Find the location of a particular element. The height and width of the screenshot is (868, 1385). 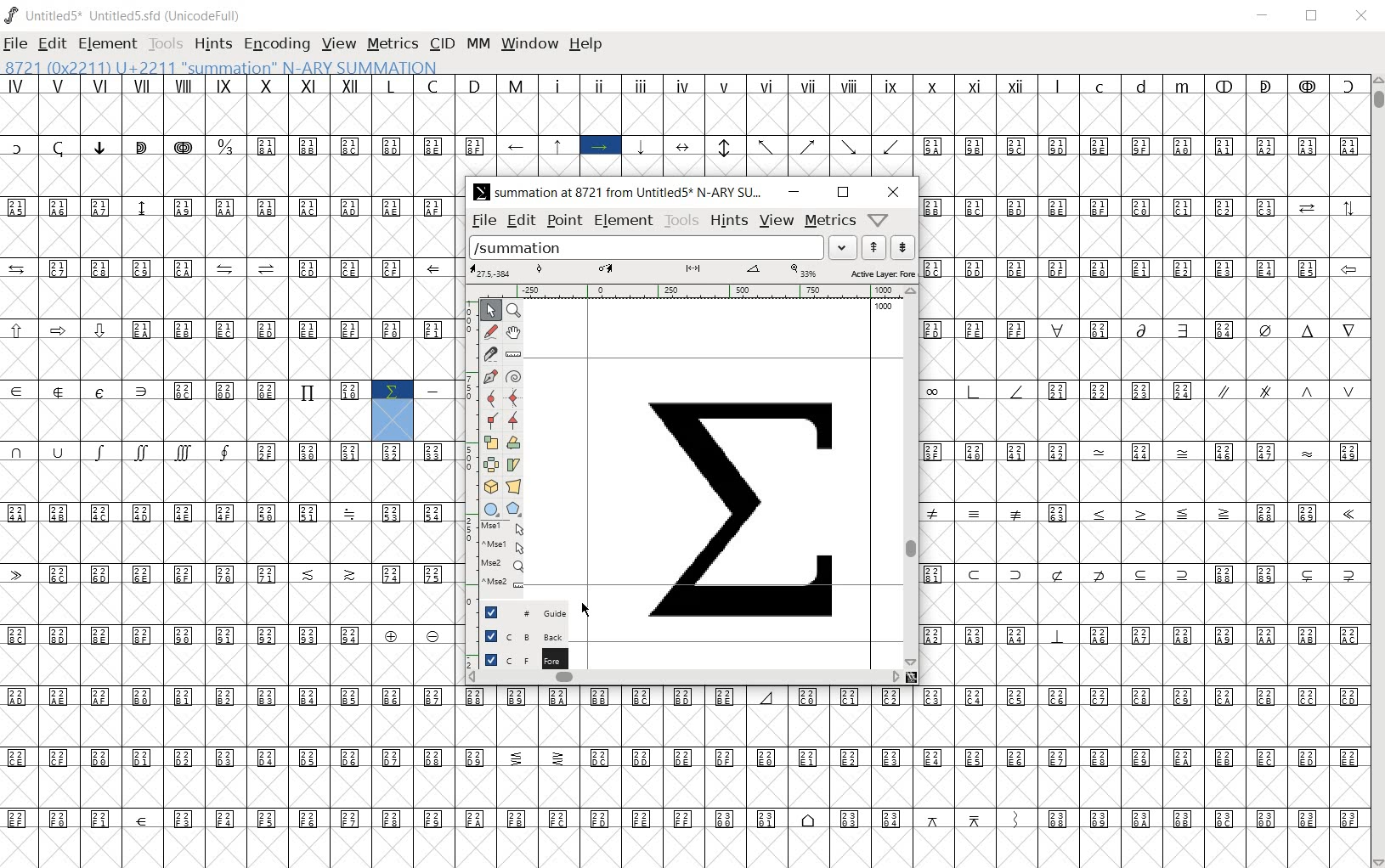

rotate the selection is located at coordinates (513, 442).